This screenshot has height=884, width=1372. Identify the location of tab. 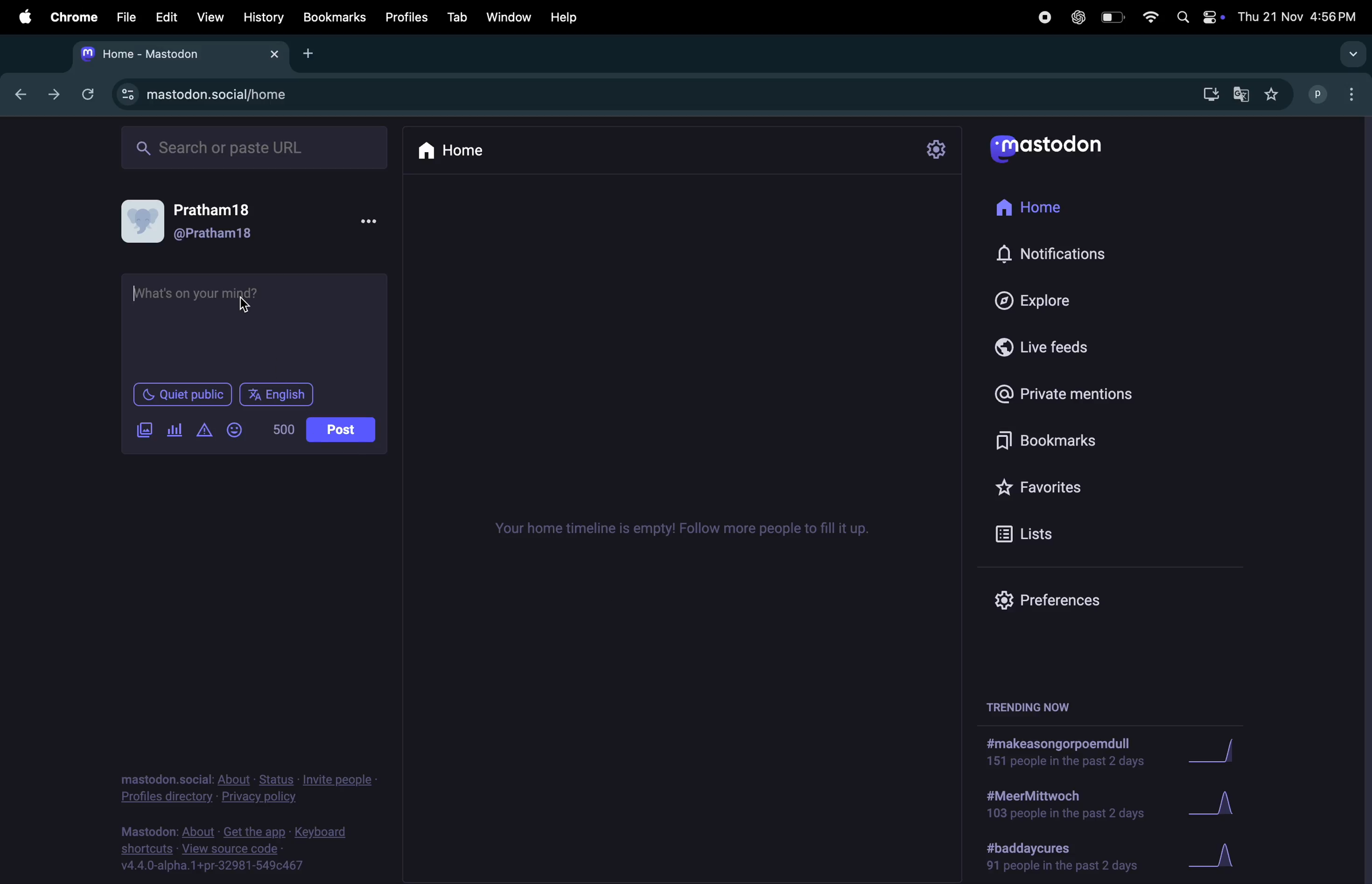
(456, 15).